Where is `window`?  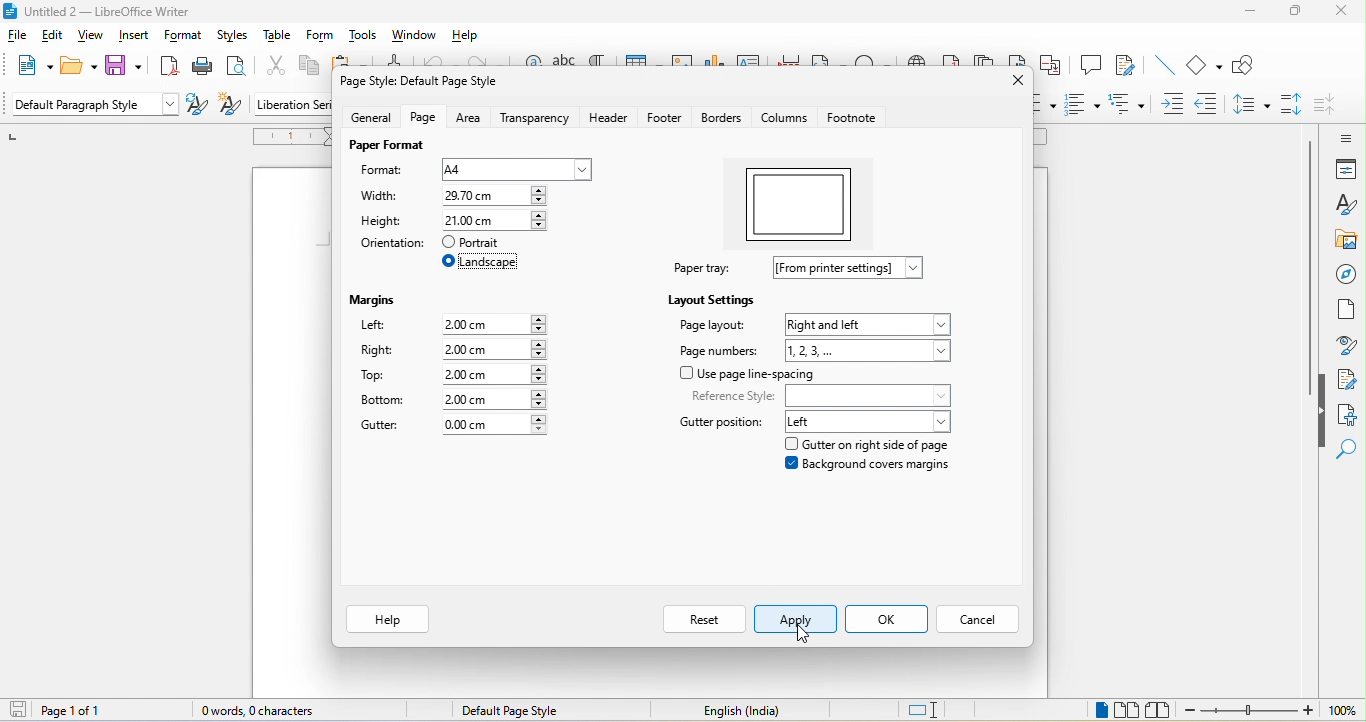
window is located at coordinates (415, 36).